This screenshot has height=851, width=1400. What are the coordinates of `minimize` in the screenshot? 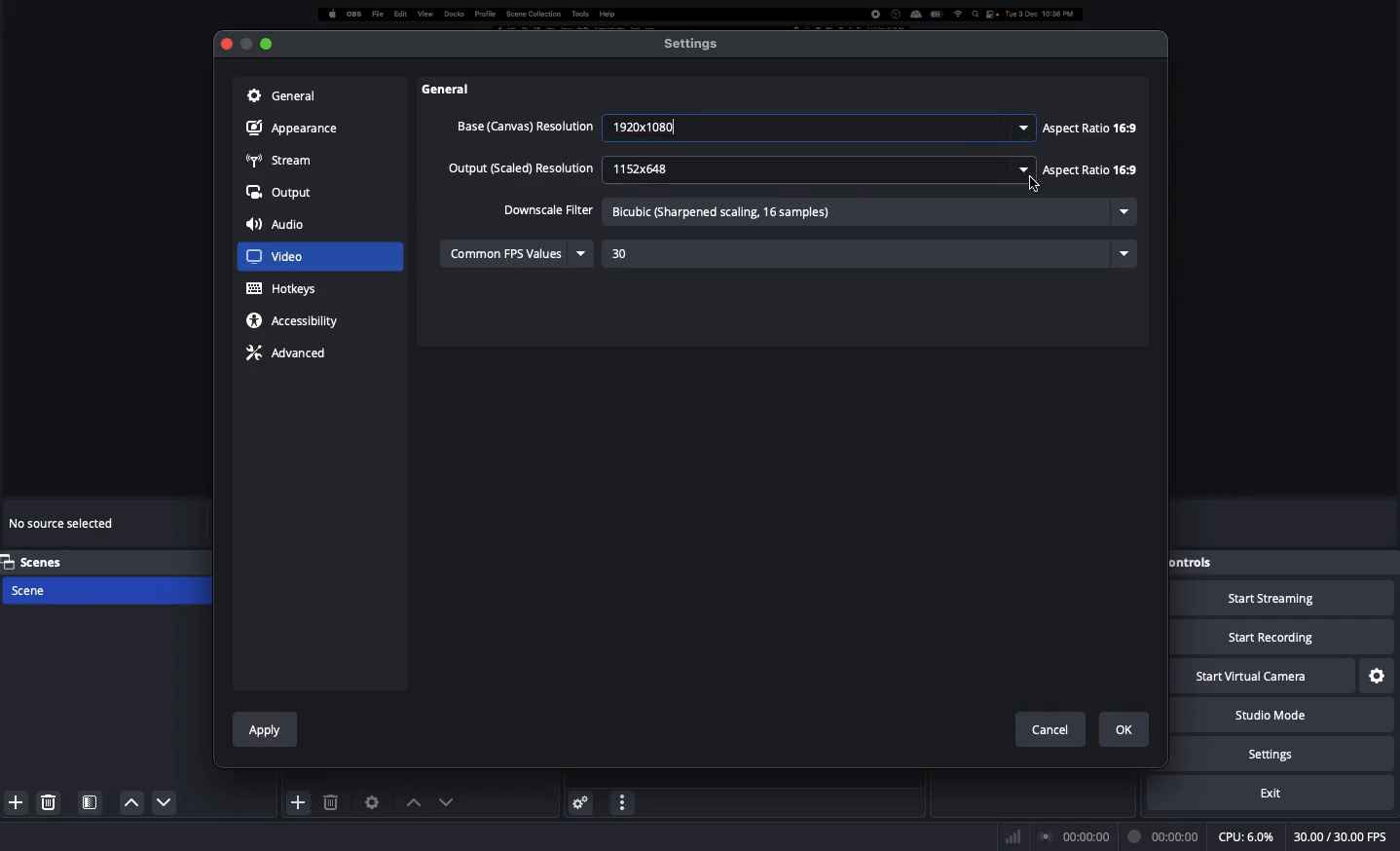 It's located at (267, 40).